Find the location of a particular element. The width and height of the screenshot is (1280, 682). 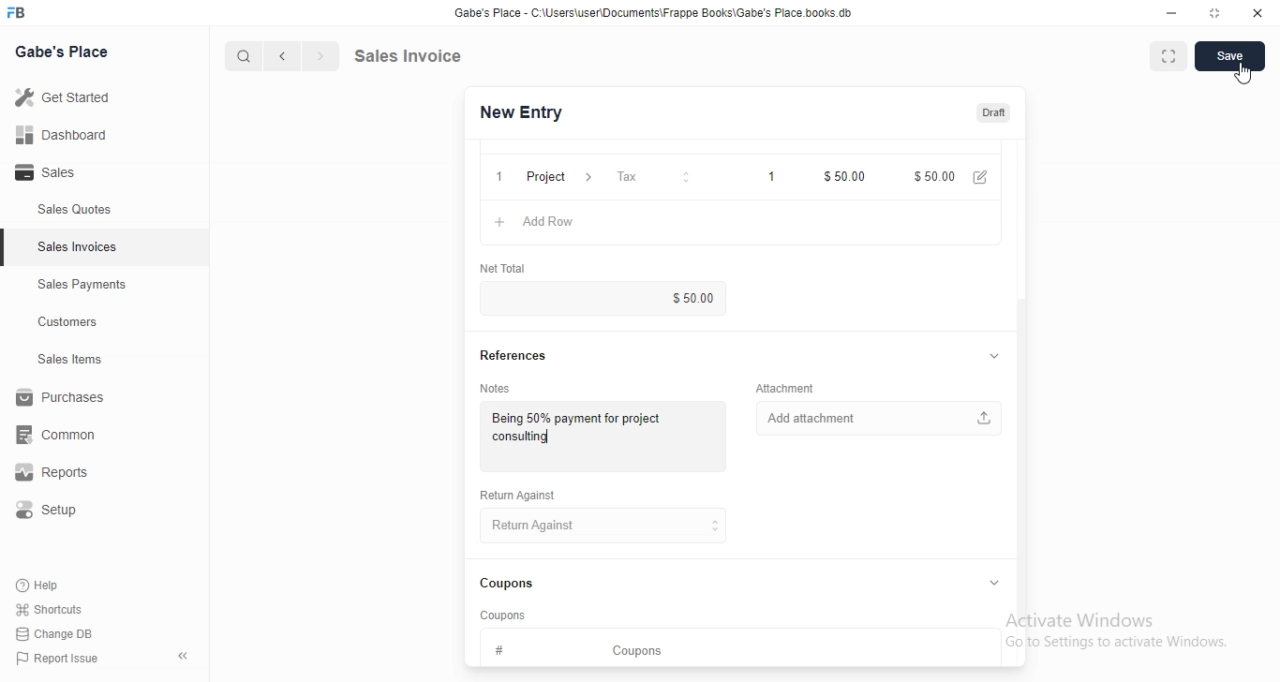

Customers. is located at coordinates (62, 324).